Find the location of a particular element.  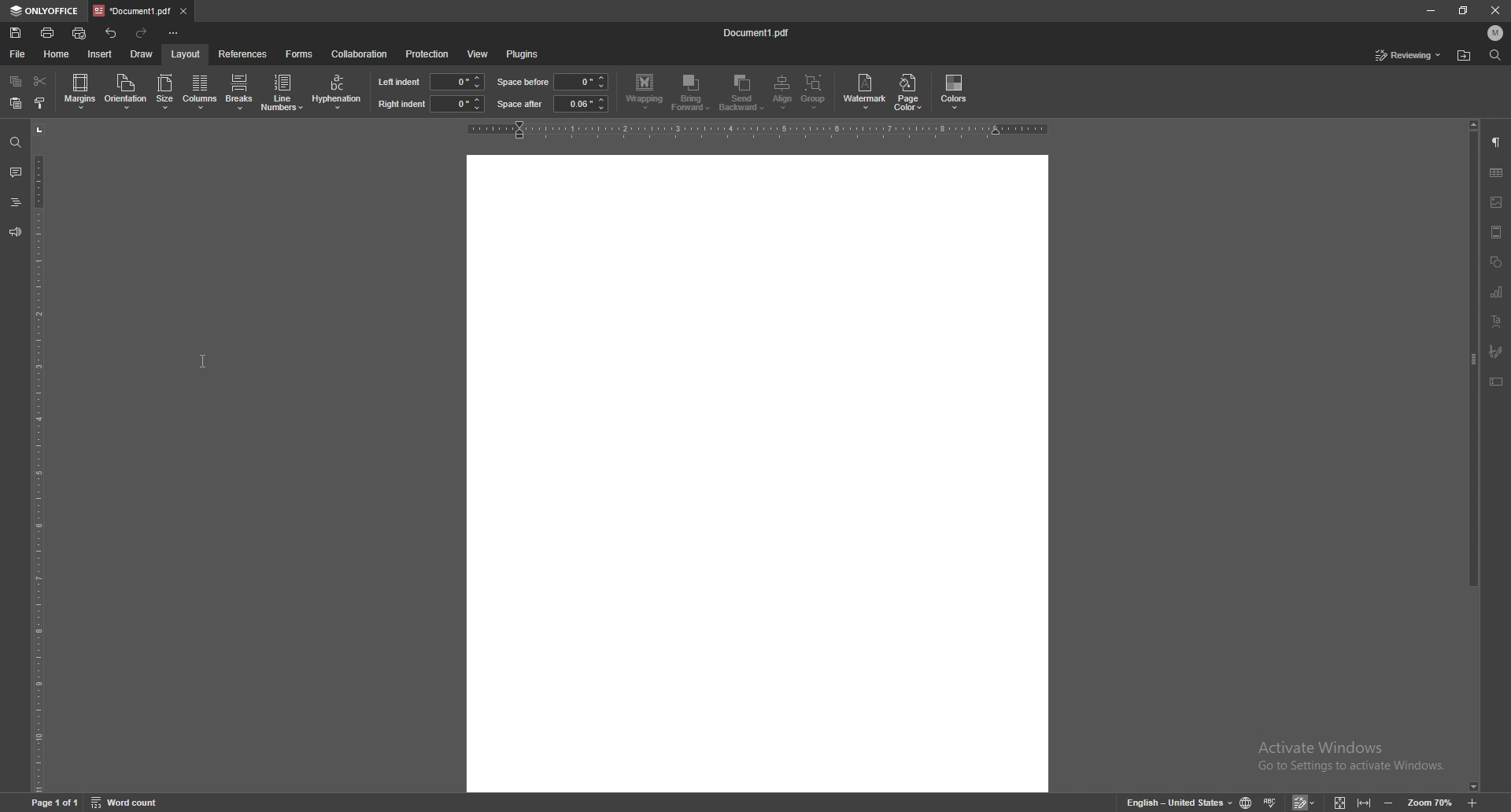

group is located at coordinates (815, 92).